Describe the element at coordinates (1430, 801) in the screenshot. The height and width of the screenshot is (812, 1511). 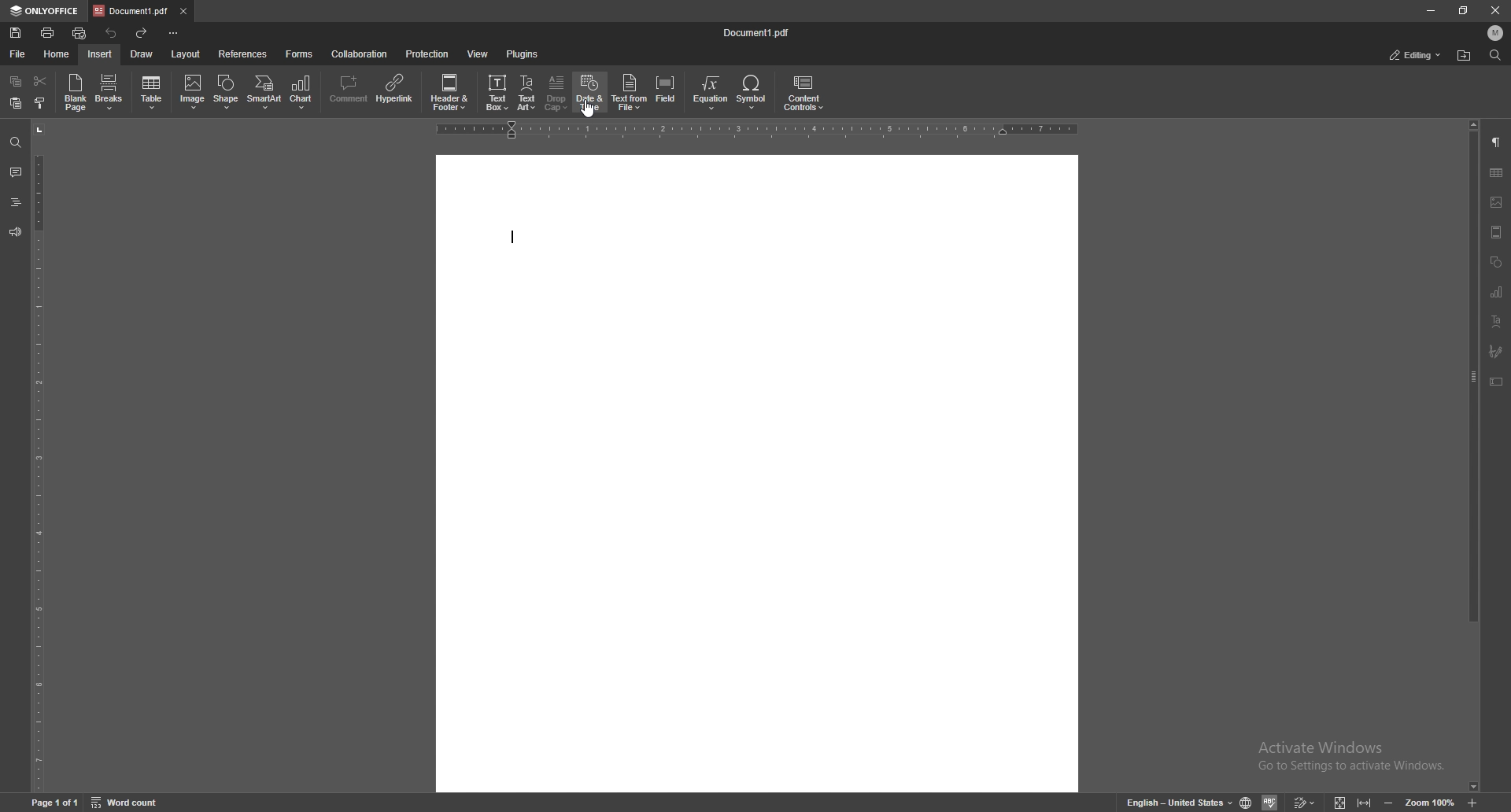
I see `zoom` at that location.